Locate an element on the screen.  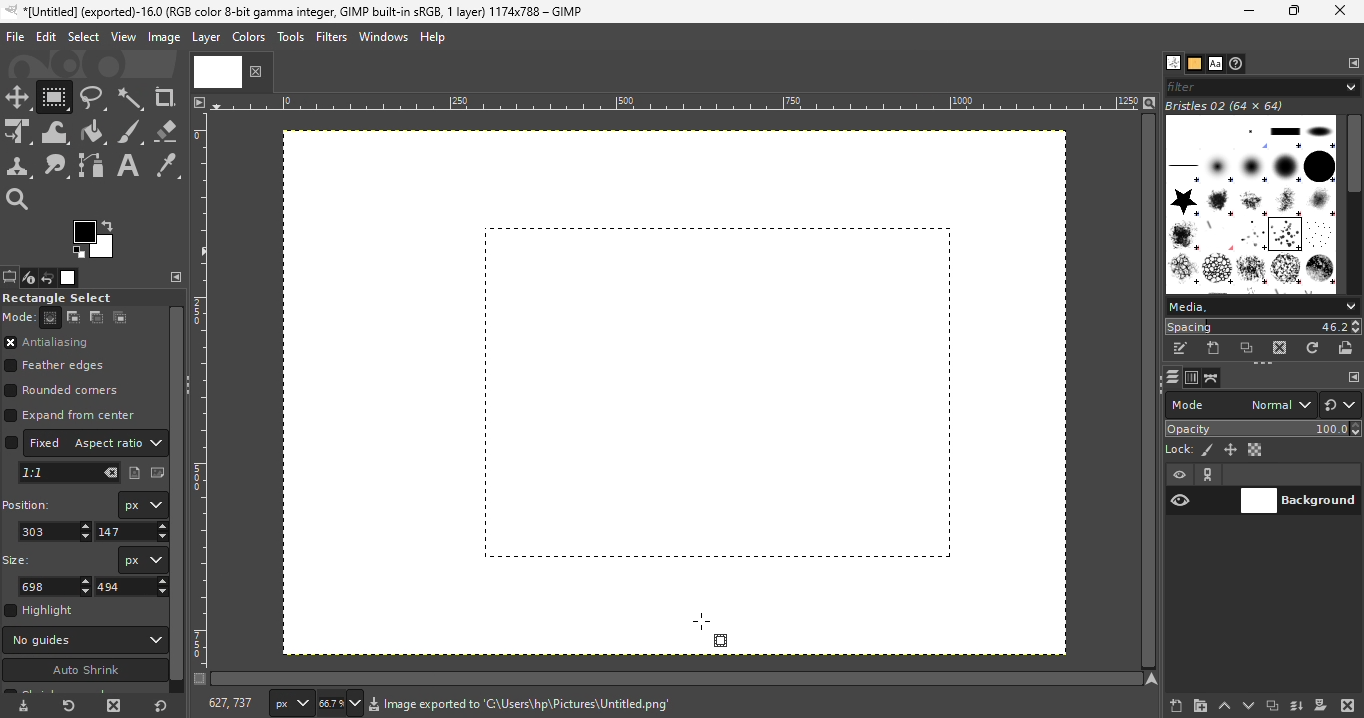
Scroll bar is located at coordinates (177, 493).